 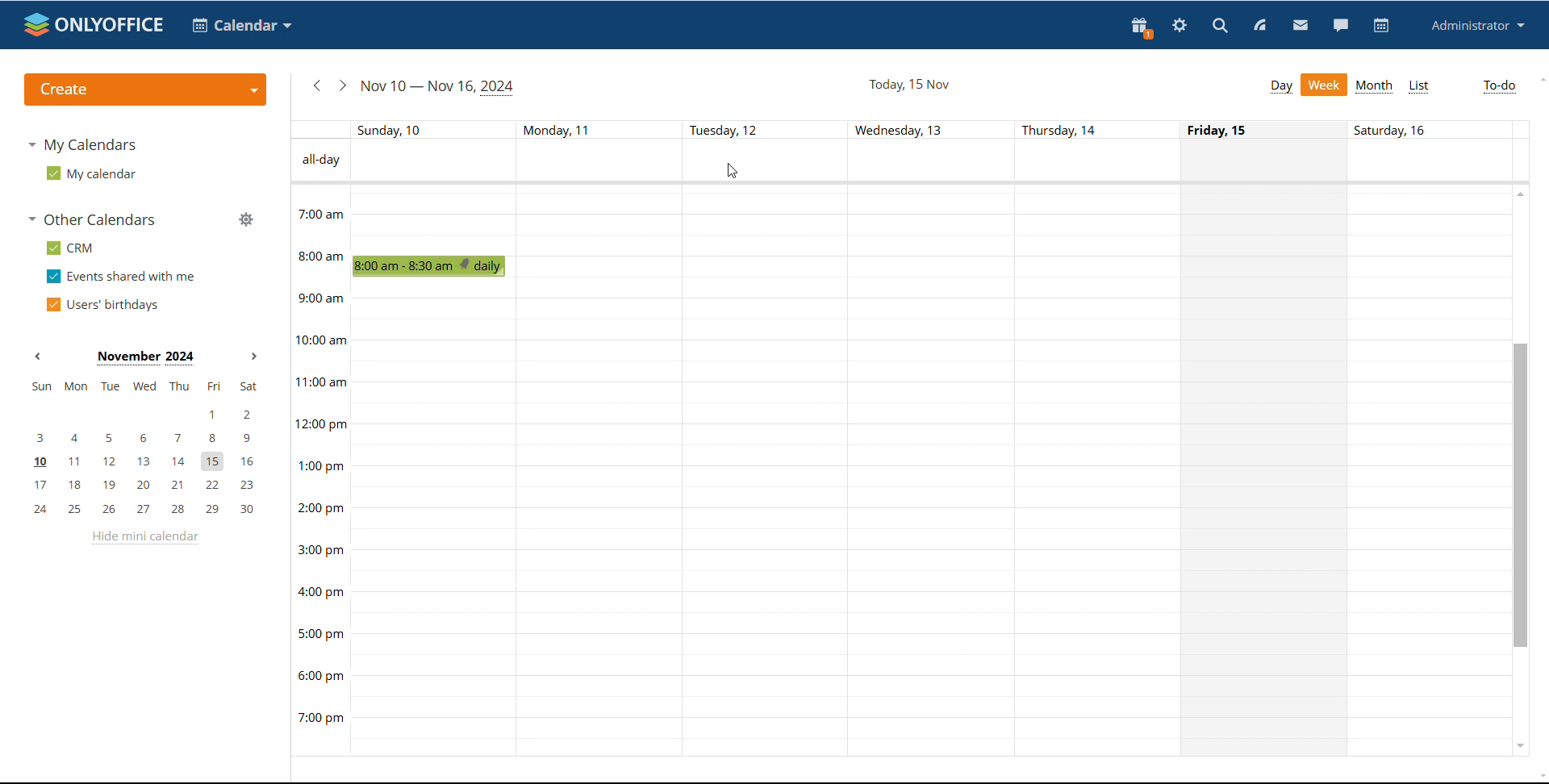 What do you see at coordinates (1399, 132) in the screenshot?
I see `text` at bounding box center [1399, 132].